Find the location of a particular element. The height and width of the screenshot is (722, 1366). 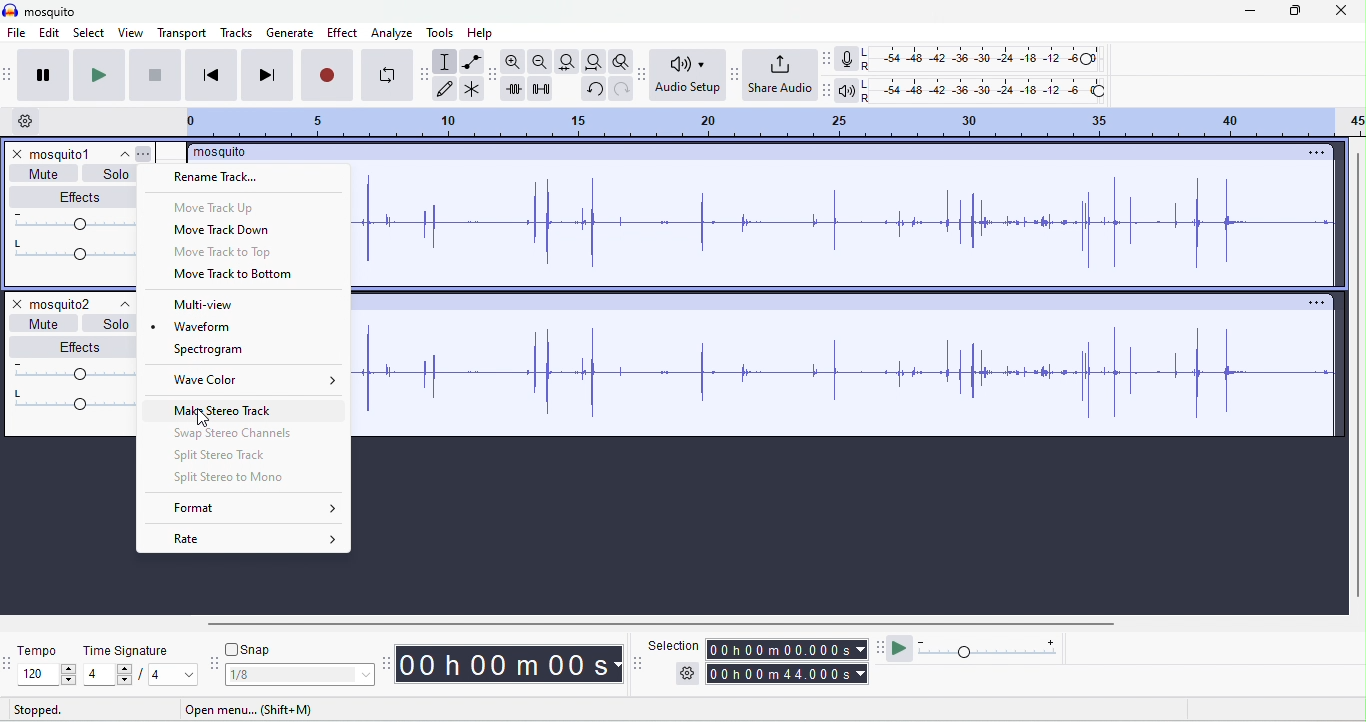

options is located at coordinates (144, 154).